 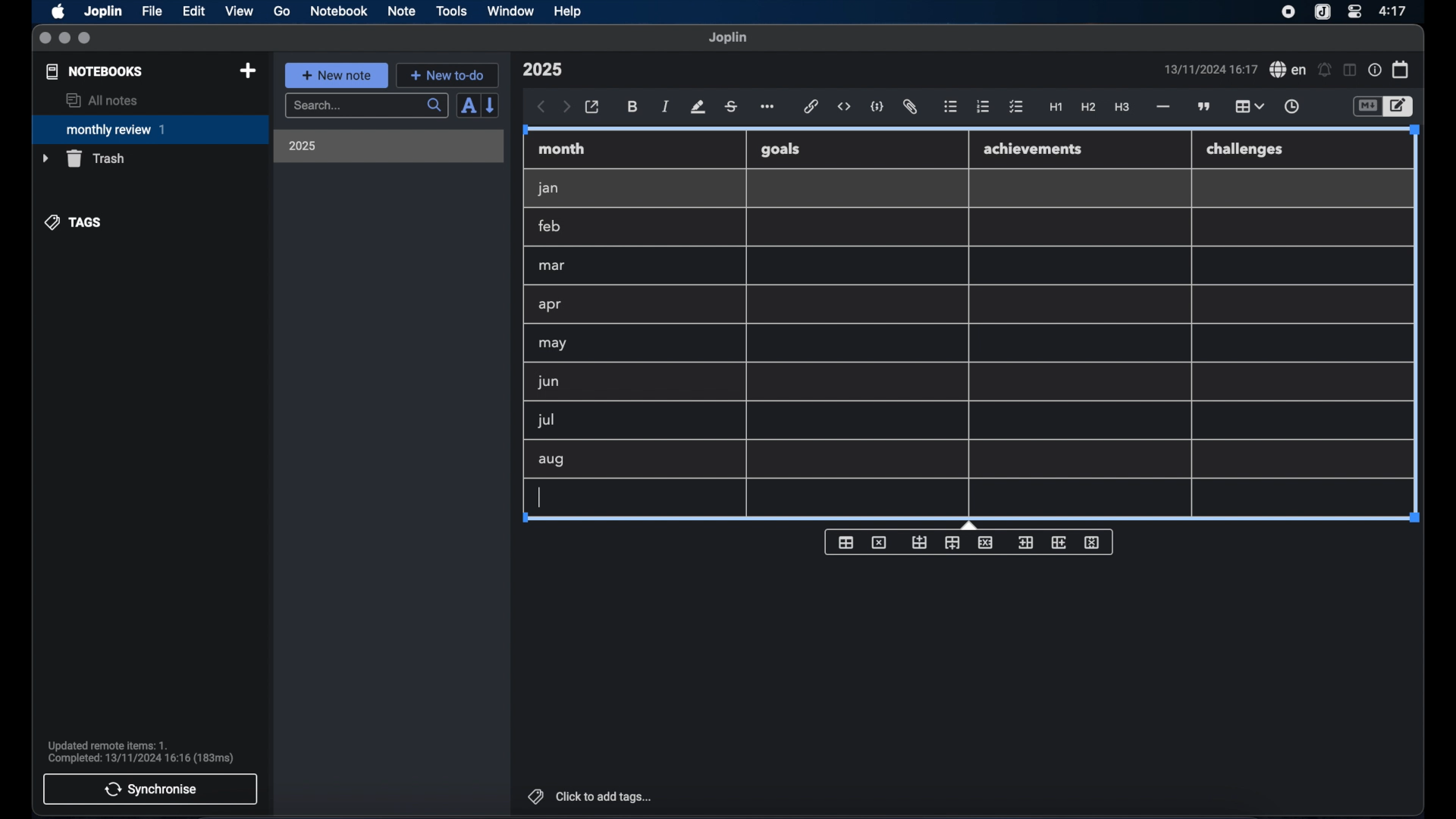 What do you see at coordinates (879, 543) in the screenshot?
I see `delete table` at bounding box center [879, 543].